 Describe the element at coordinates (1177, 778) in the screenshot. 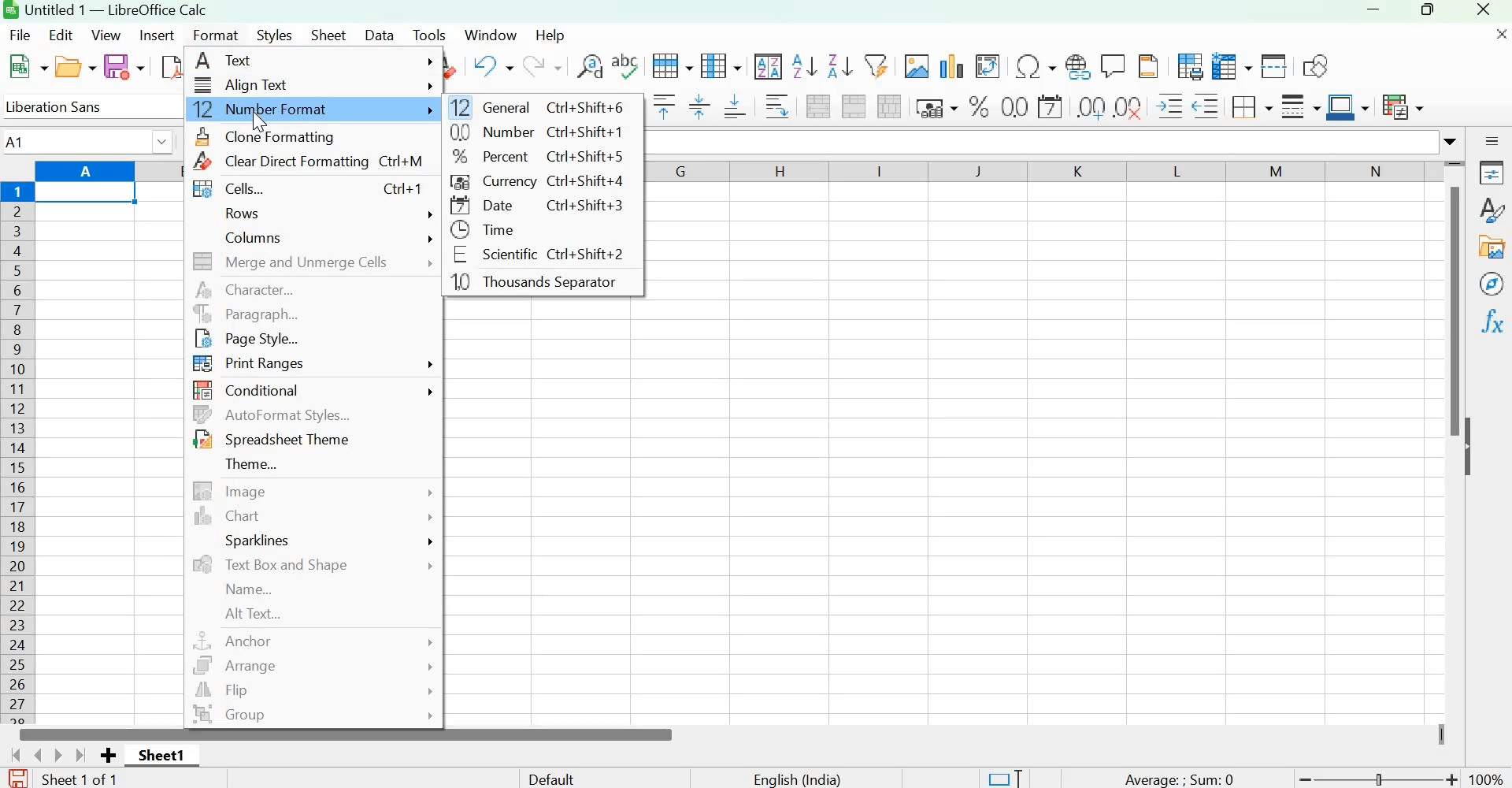

I see `Average: Sum 0` at that location.